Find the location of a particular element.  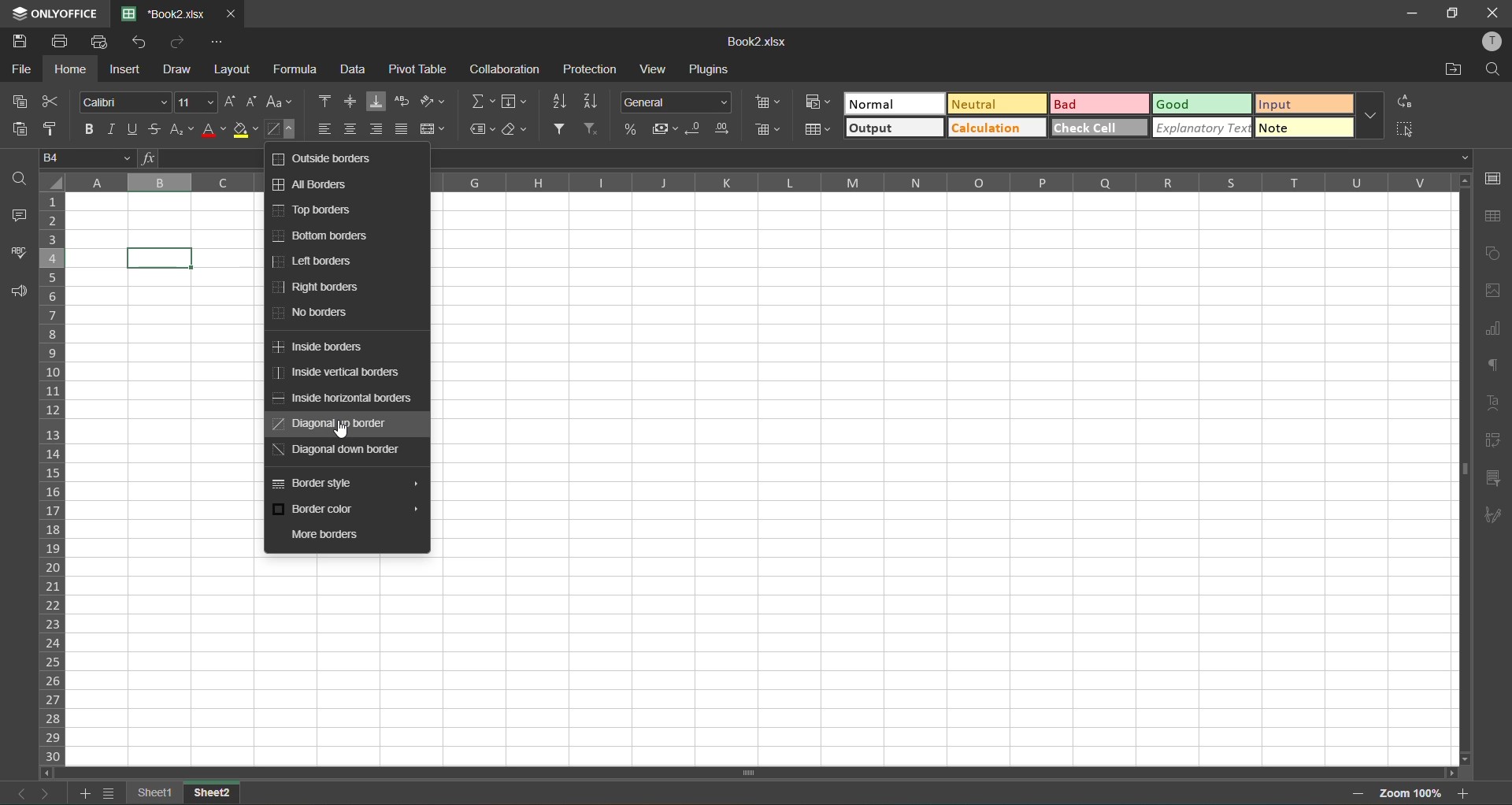

top borders is located at coordinates (321, 210).